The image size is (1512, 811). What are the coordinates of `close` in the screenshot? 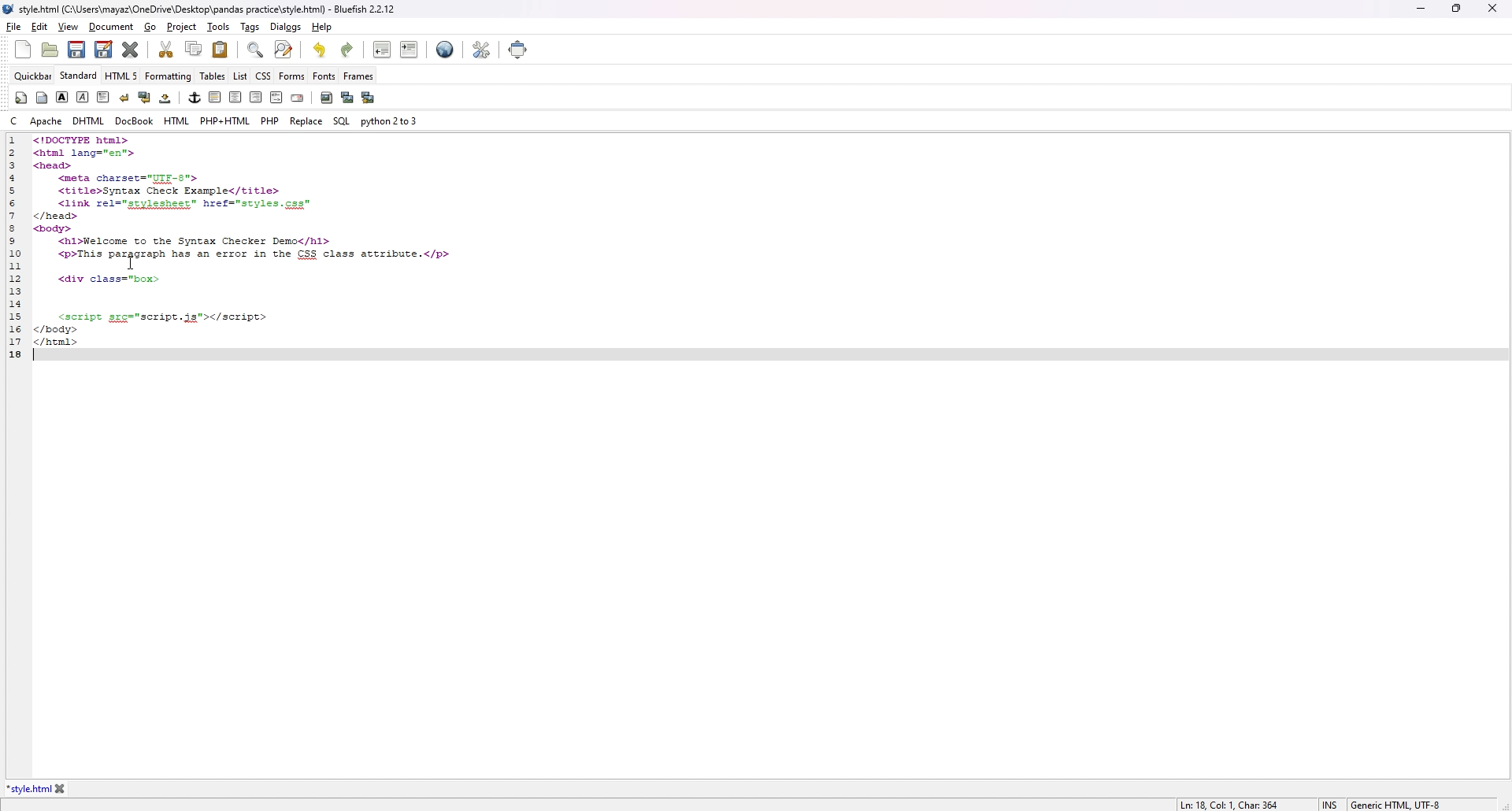 It's located at (1492, 8).